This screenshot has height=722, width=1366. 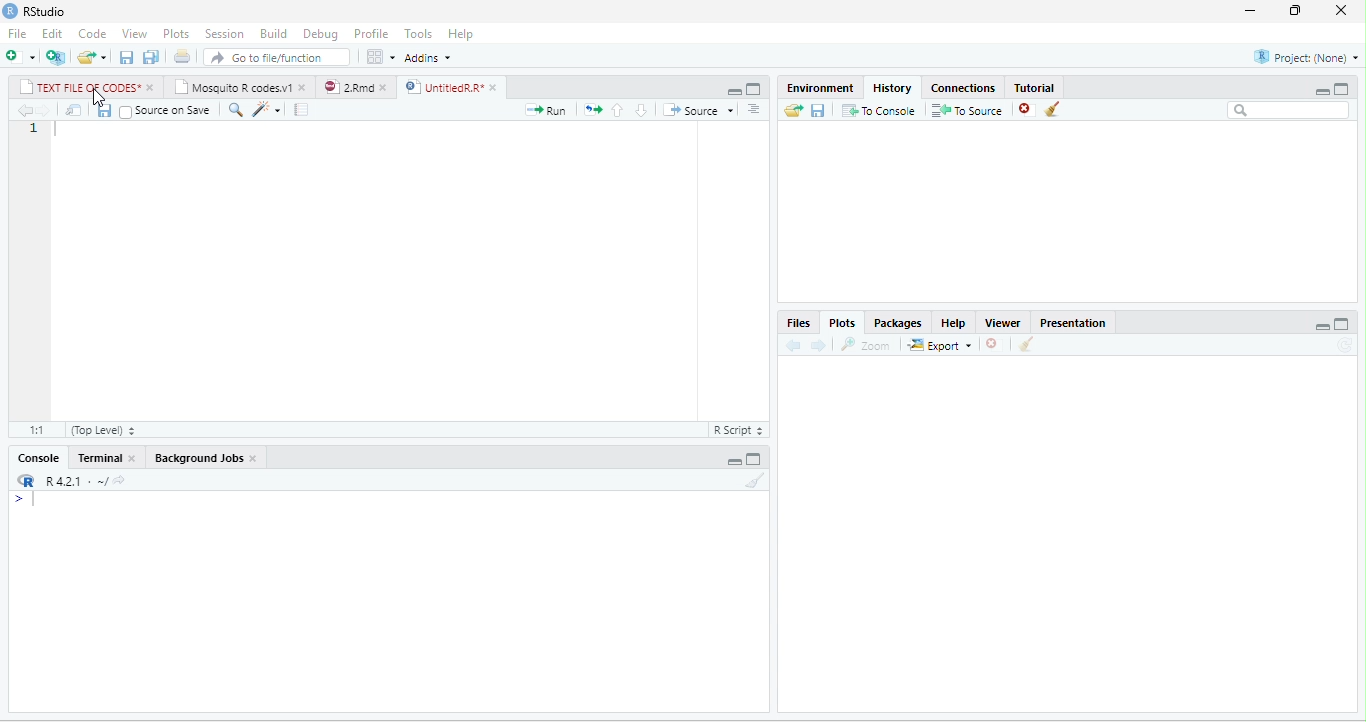 I want to click on rerun, so click(x=593, y=110).